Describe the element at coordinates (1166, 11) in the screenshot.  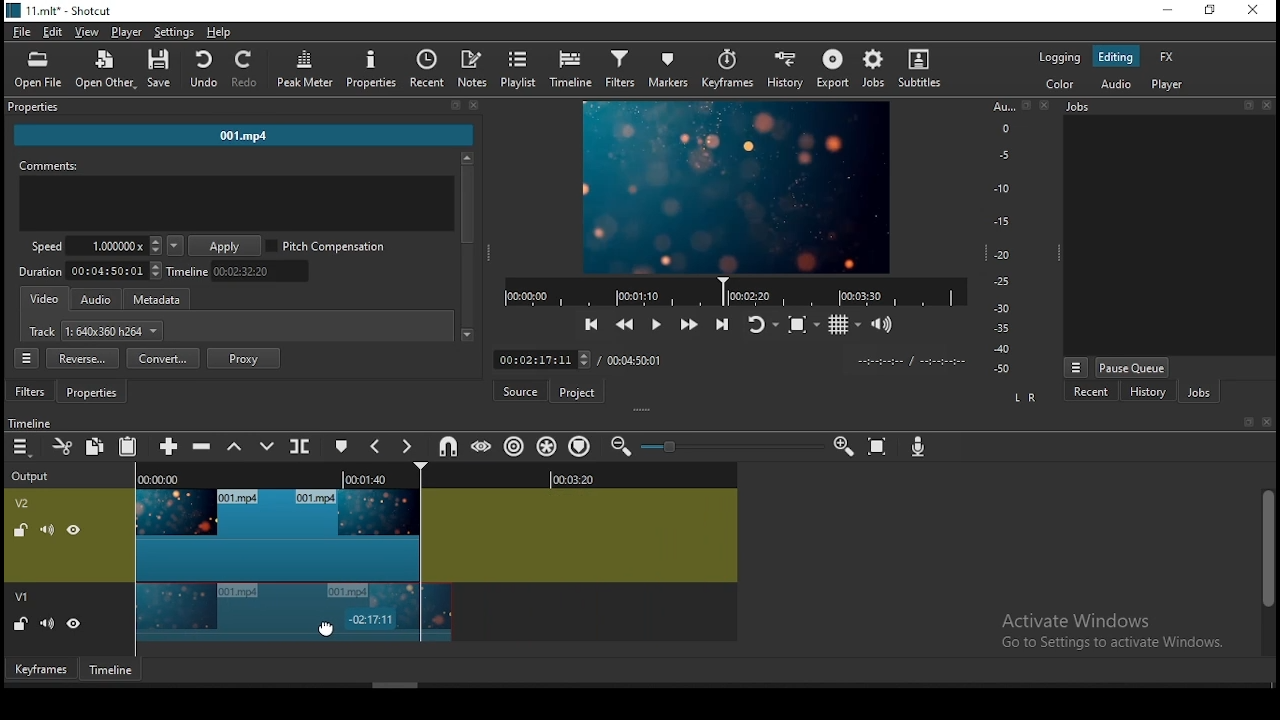
I see `minimize` at that location.